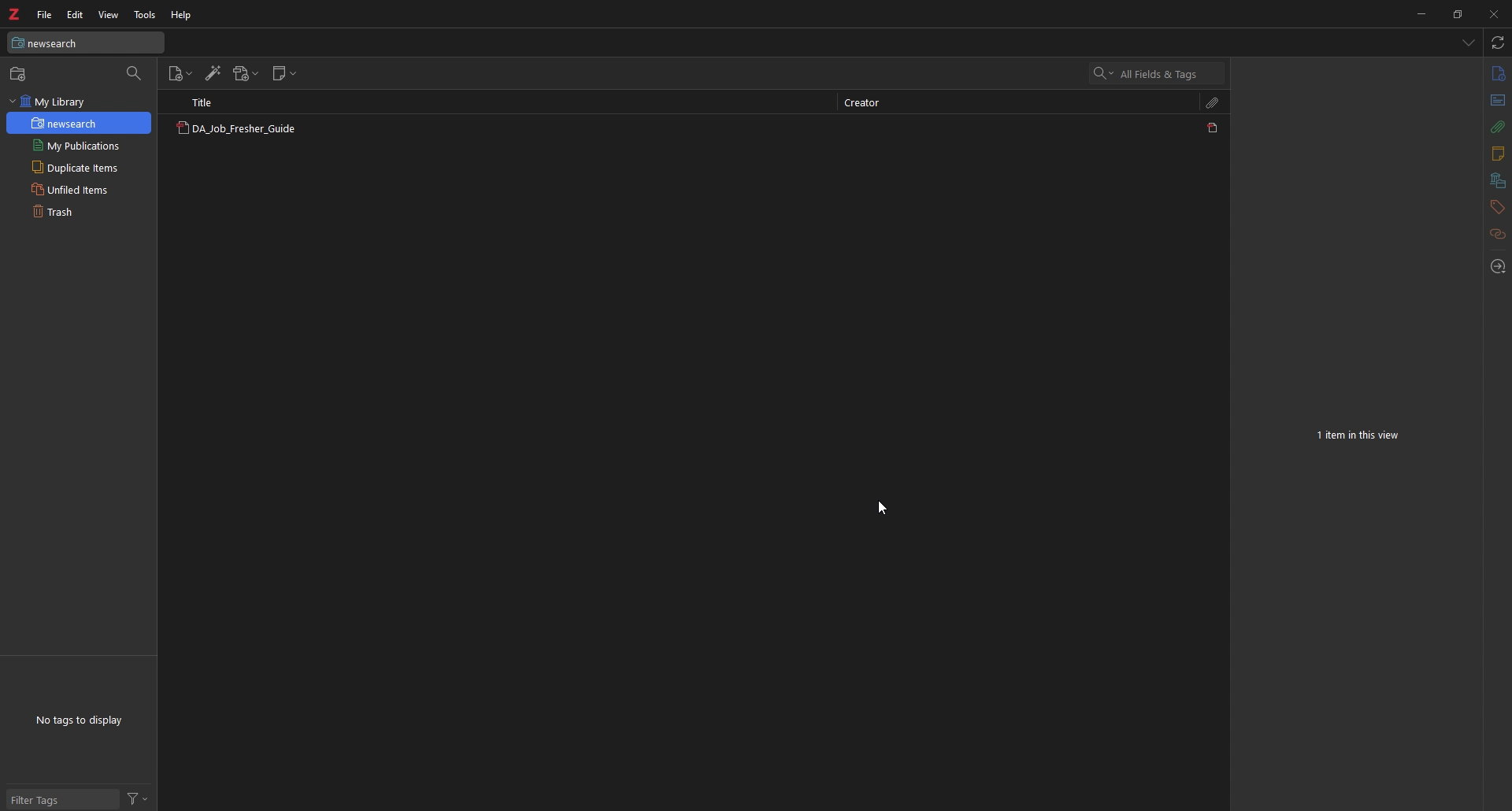 This screenshot has width=1512, height=811. I want to click on close, so click(1492, 13).